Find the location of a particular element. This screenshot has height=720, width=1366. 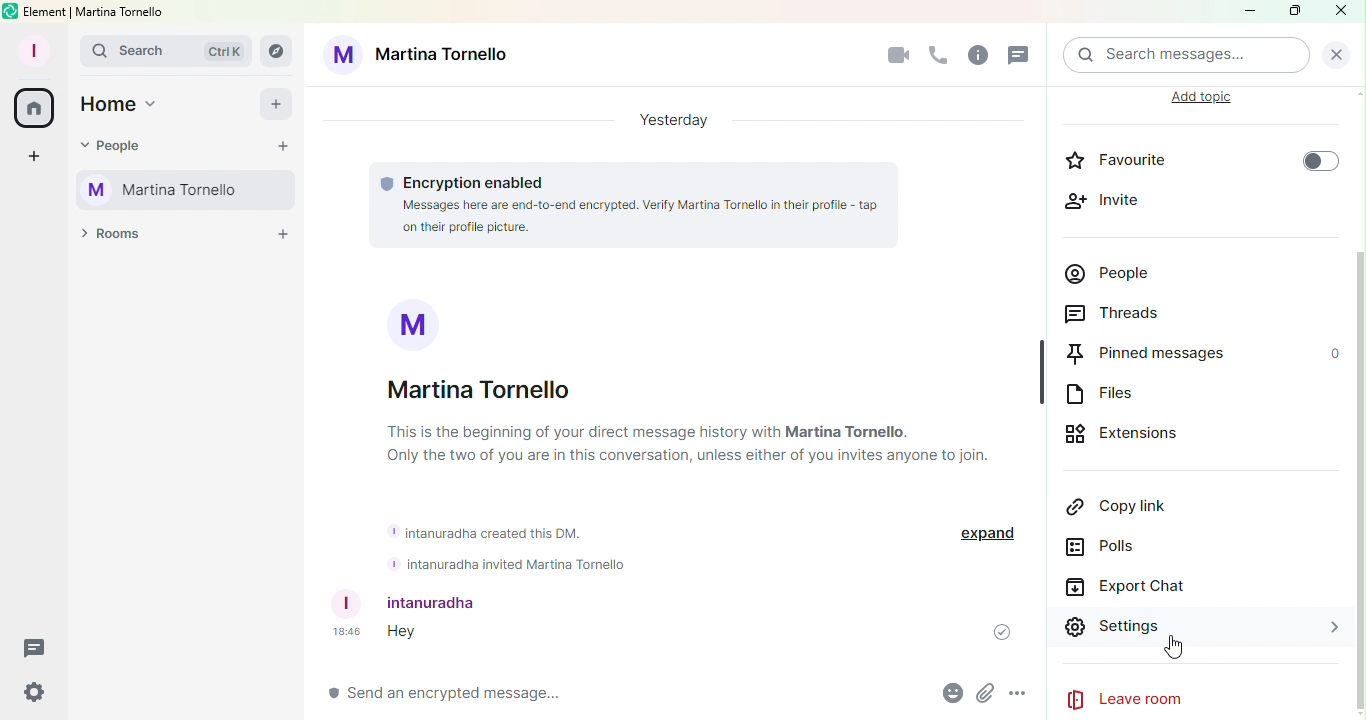

Add is located at coordinates (279, 109).